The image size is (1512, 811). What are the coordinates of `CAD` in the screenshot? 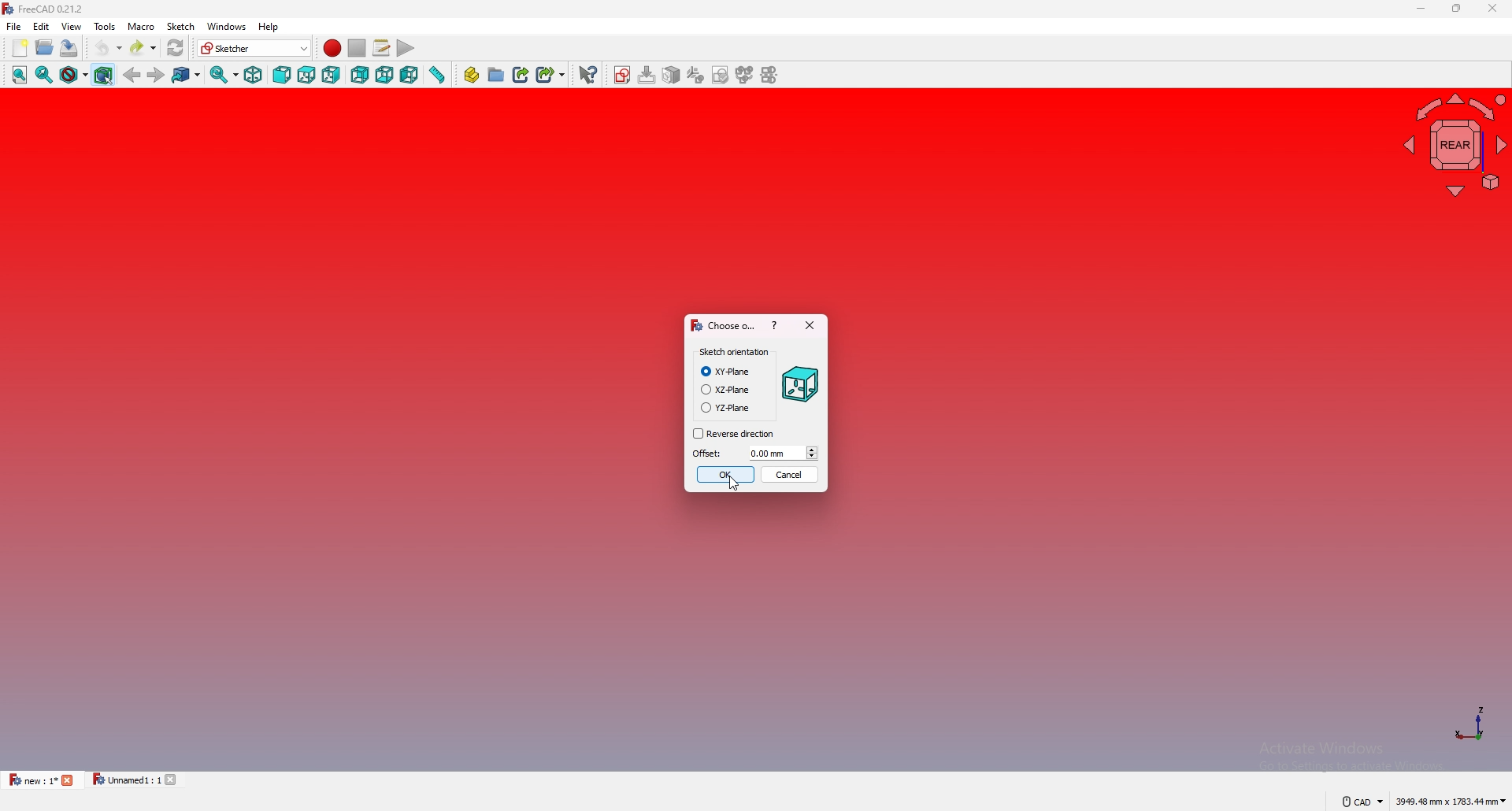 It's located at (1362, 801).